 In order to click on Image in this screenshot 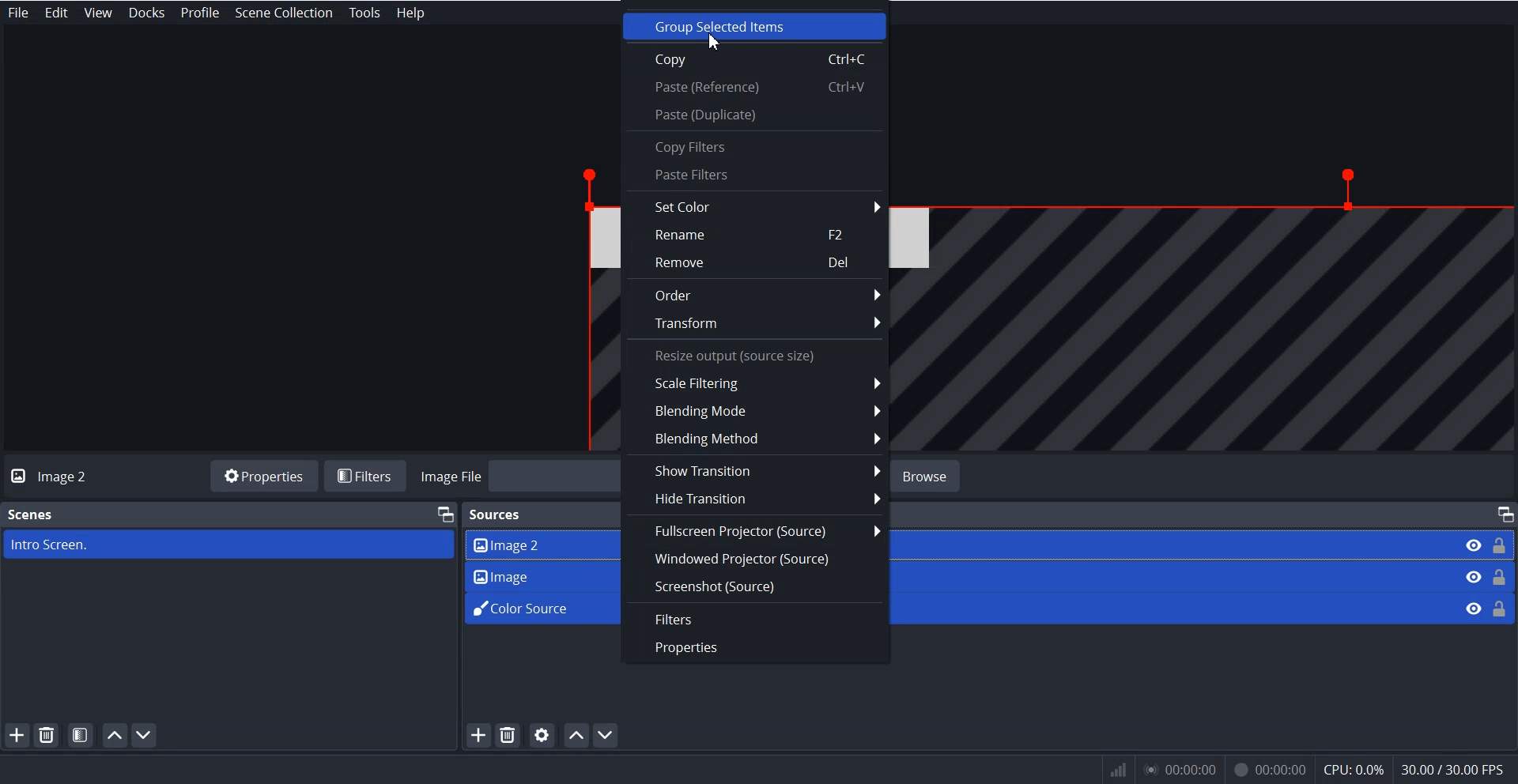, I will do `click(537, 574)`.